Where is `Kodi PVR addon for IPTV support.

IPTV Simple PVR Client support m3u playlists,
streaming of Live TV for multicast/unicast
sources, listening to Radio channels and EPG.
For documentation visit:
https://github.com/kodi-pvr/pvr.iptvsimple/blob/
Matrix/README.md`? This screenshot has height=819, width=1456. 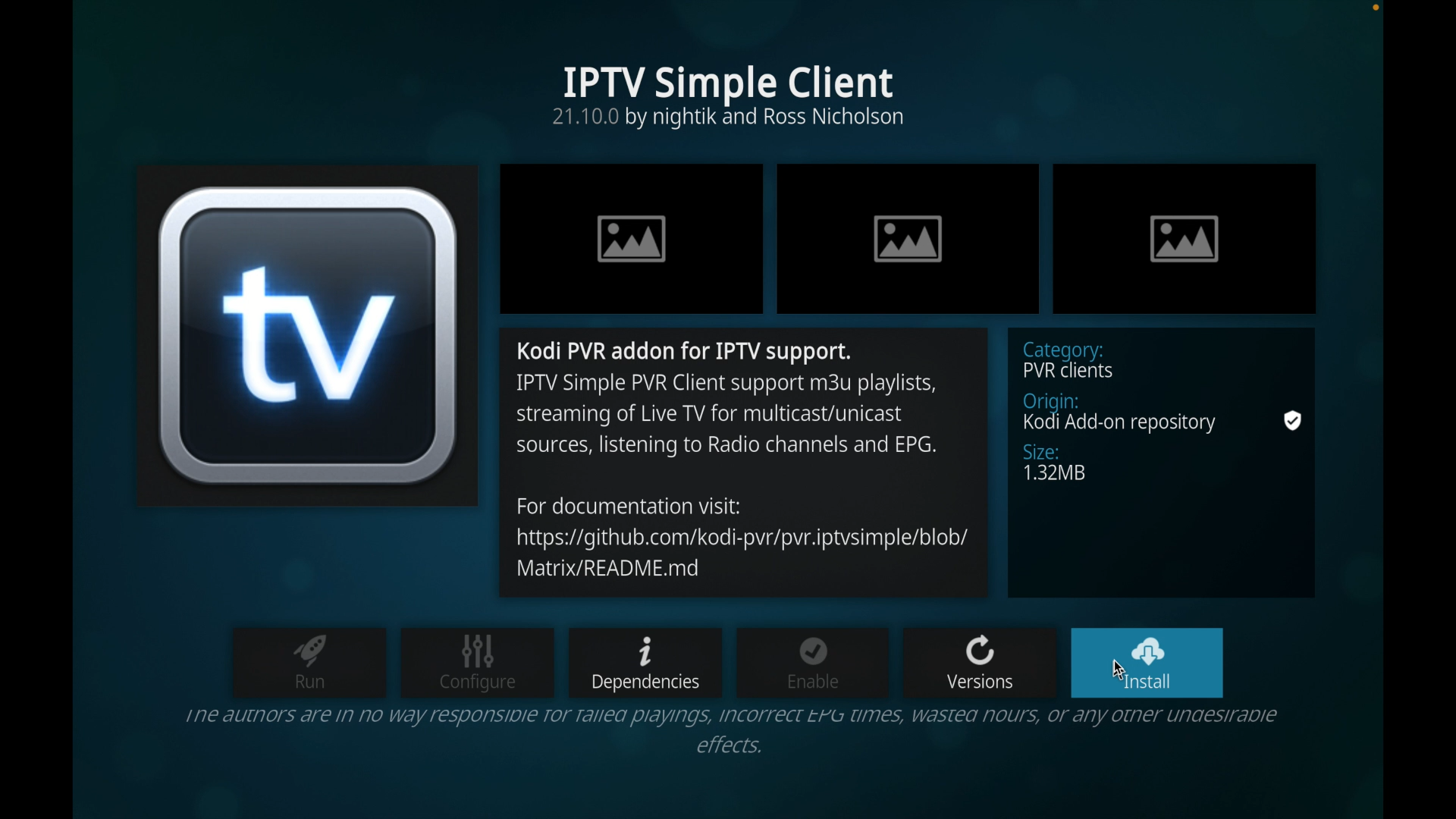
Kodi PVR addon for IPTV support.

IPTV Simple PVR Client support m3u playlists,
streaming of Live TV for multicast/unicast
sources, listening to Radio channels and EPG.
For documentation visit:
https://github.com/kodi-pvr/pvr.iptvsimple/blob/
Matrix/README.md is located at coordinates (748, 460).